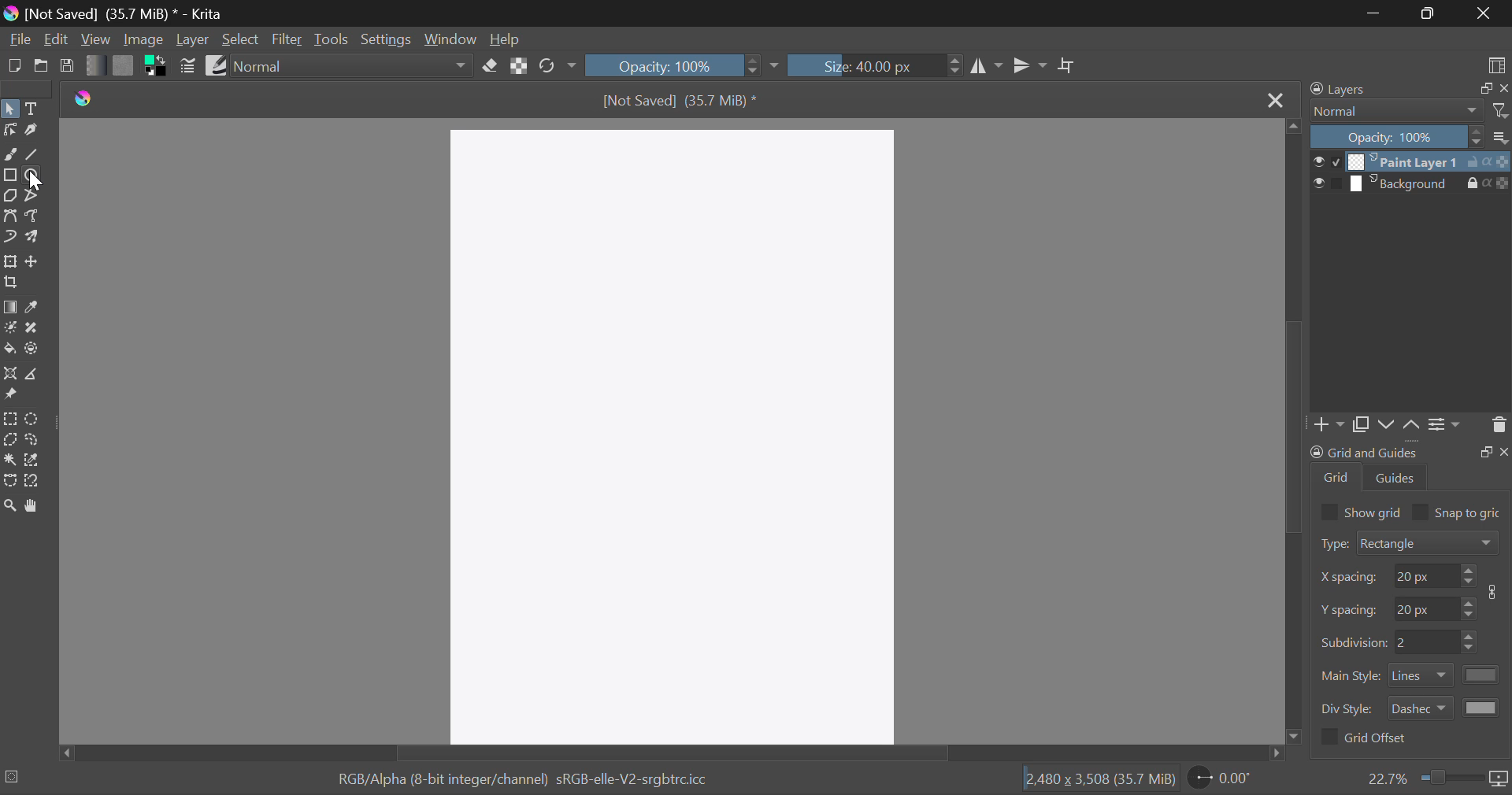 The width and height of the screenshot is (1512, 795). What do you see at coordinates (1409, 112) in the screenshot?
I see `Blending Modes` at bounding box center [1409, 112].